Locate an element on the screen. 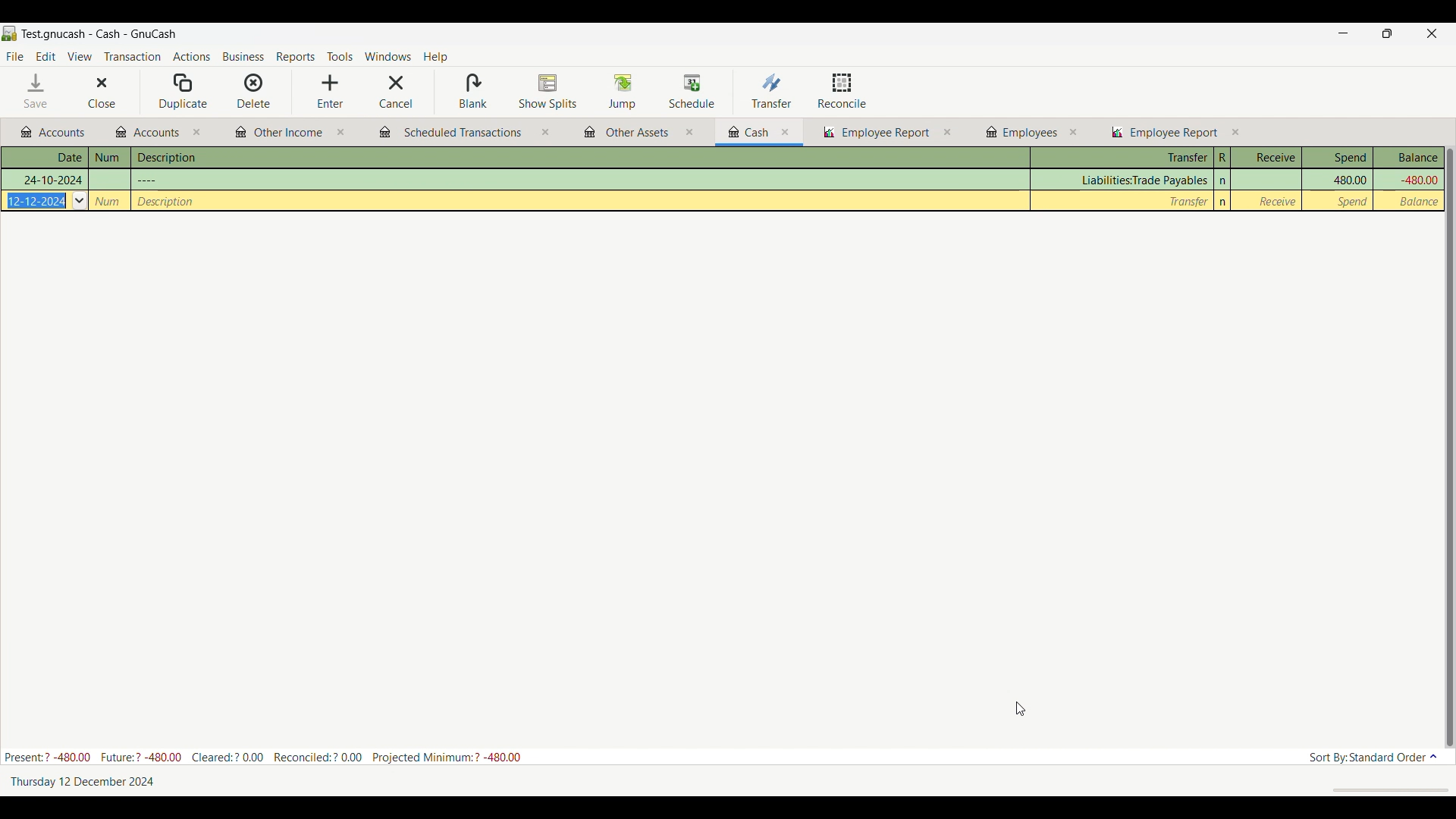 The image size is (1456, 819). Schedule is located at coordinates (692, 91).